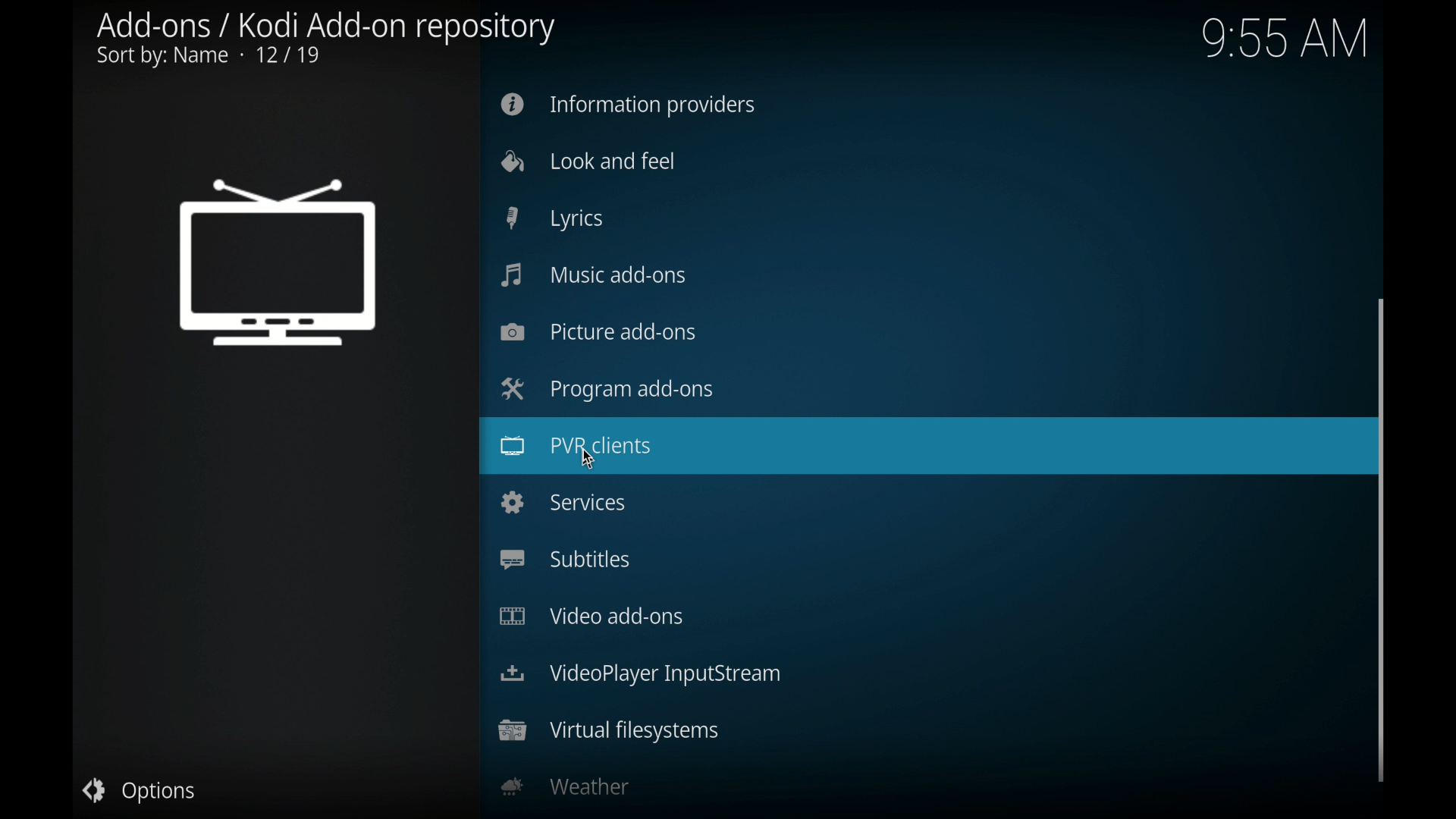  Describe the element at coordinates (588, 162) in the screenshot. I see `lookandfeel` at that location.